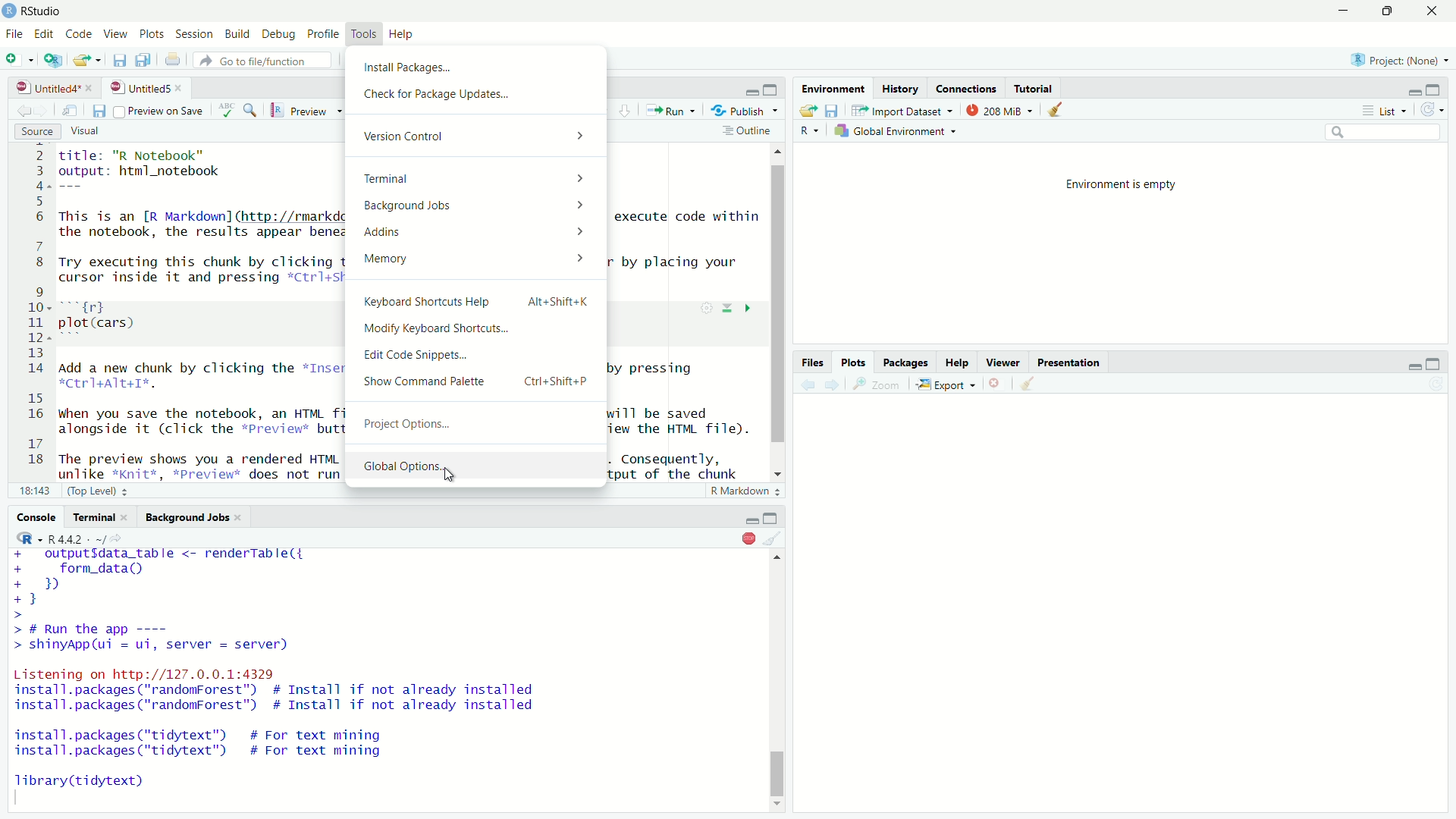  What do you see at coordinates (467, 96) in the screenshot?
I see `Check for Package Updates...` at bounding box center [467, 96].